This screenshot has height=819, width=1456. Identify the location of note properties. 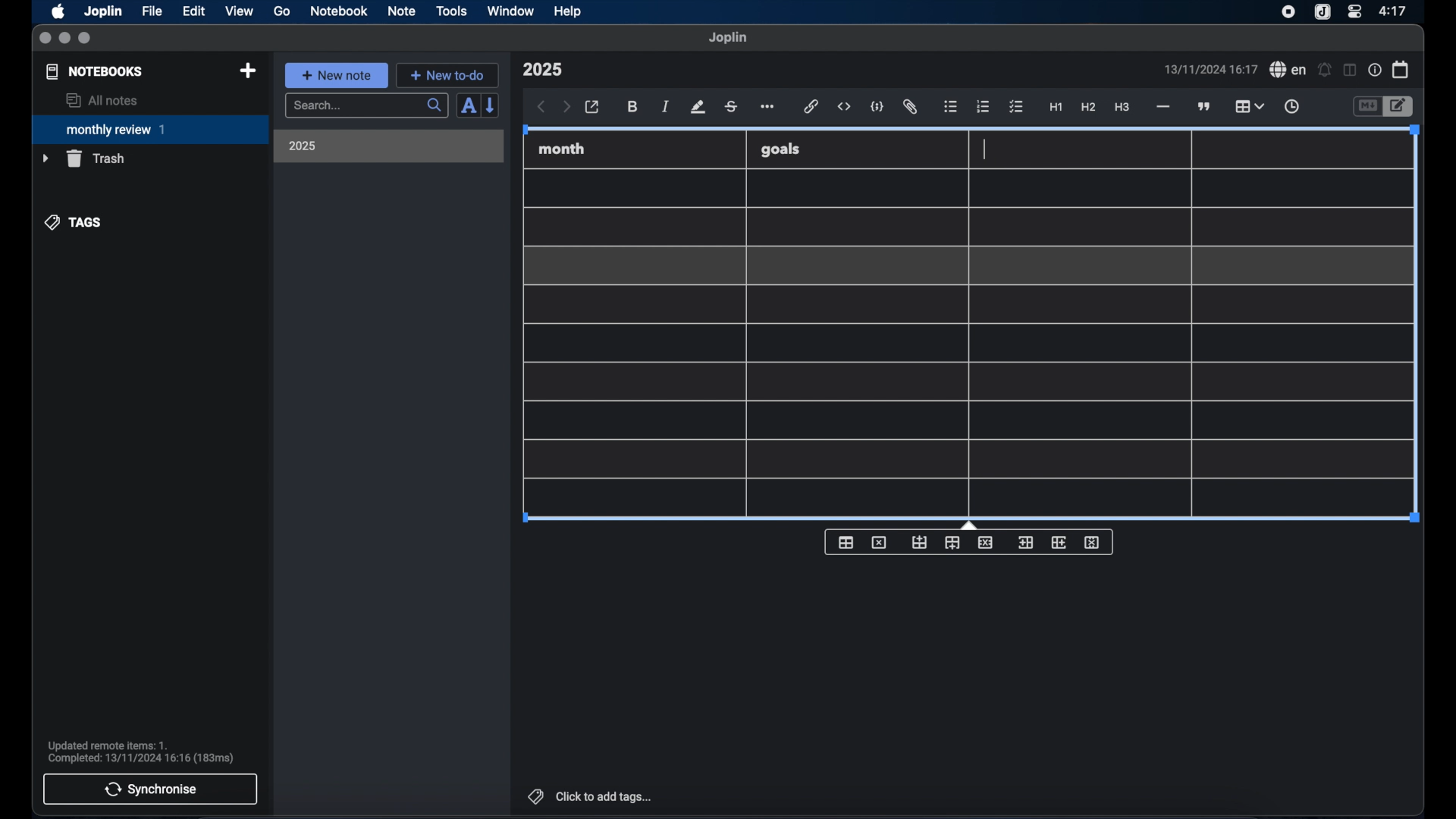
(1375, 71).